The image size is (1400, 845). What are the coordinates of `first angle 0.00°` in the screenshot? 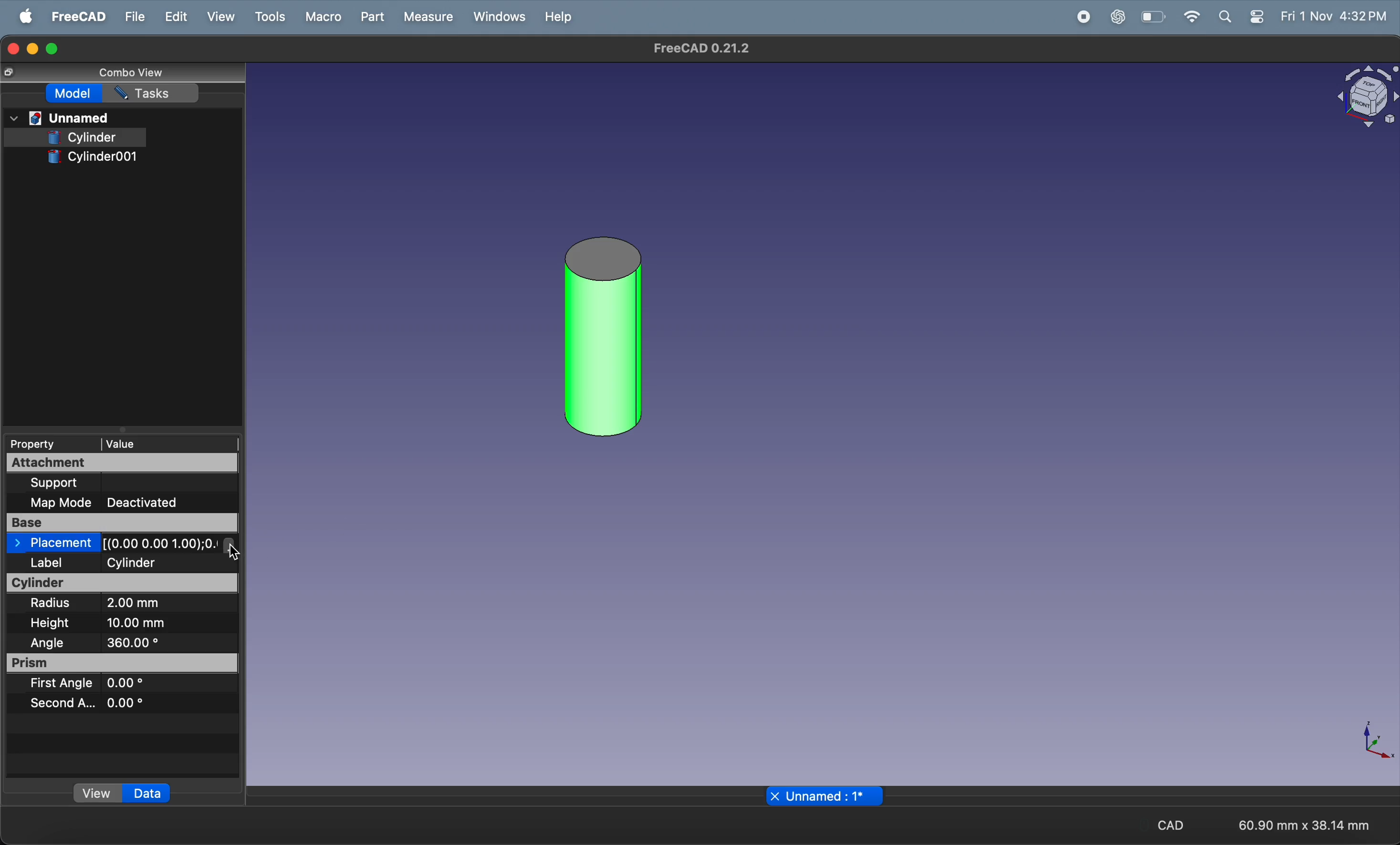 It's located at (86, 684).